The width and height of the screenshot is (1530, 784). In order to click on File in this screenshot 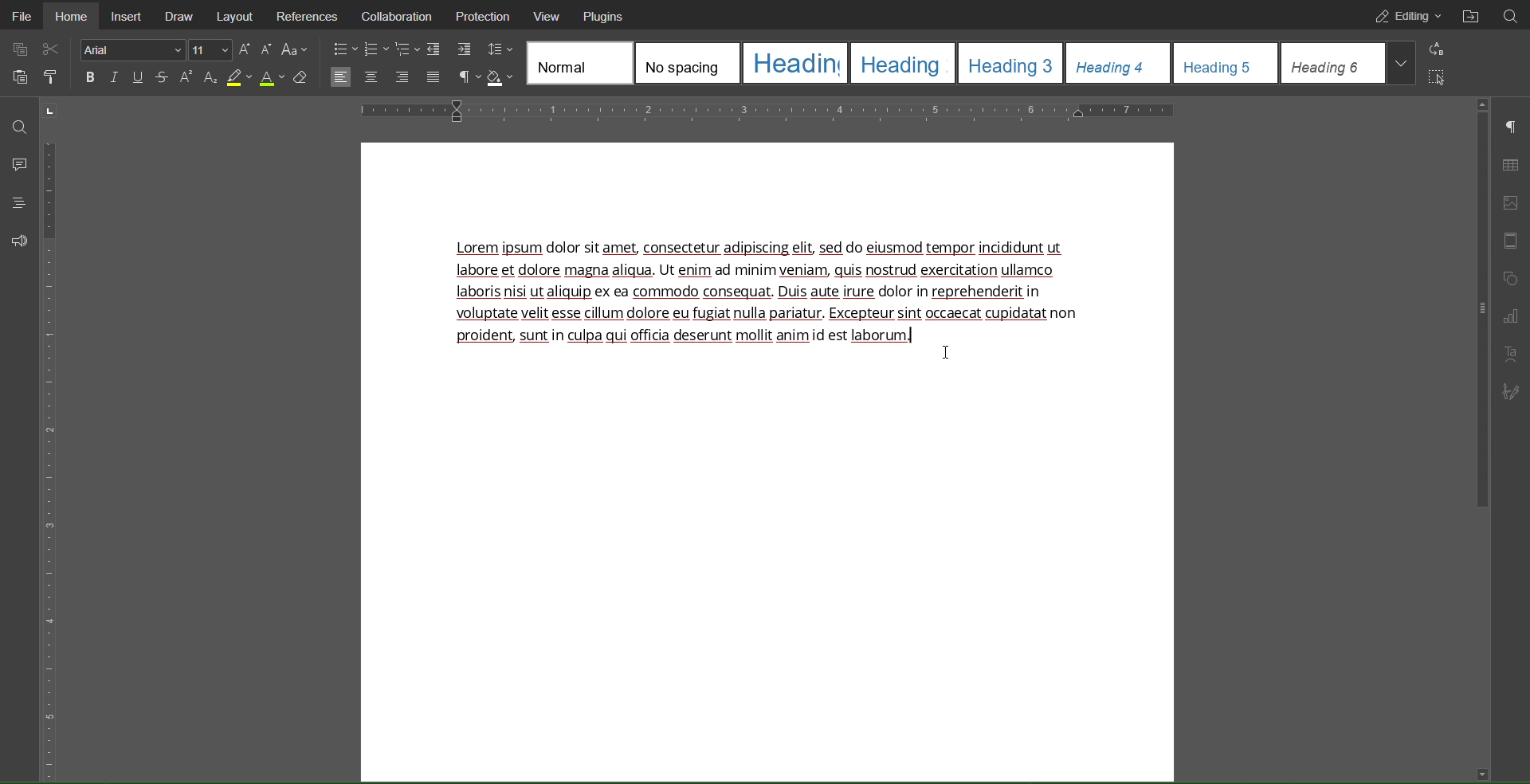, I will do `click(21, 16)`.